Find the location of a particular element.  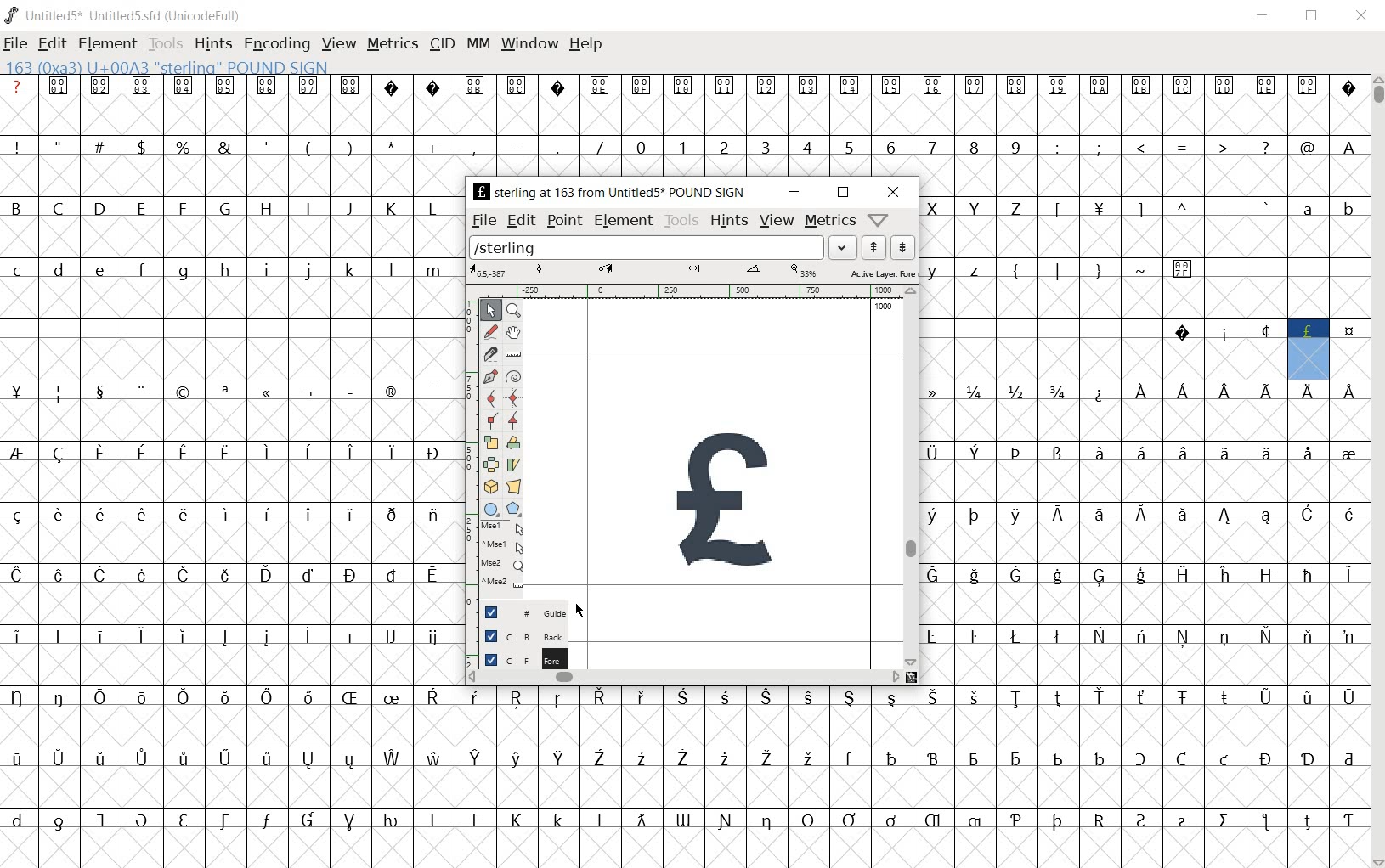

Symbol is located at coordinates (937, 516).